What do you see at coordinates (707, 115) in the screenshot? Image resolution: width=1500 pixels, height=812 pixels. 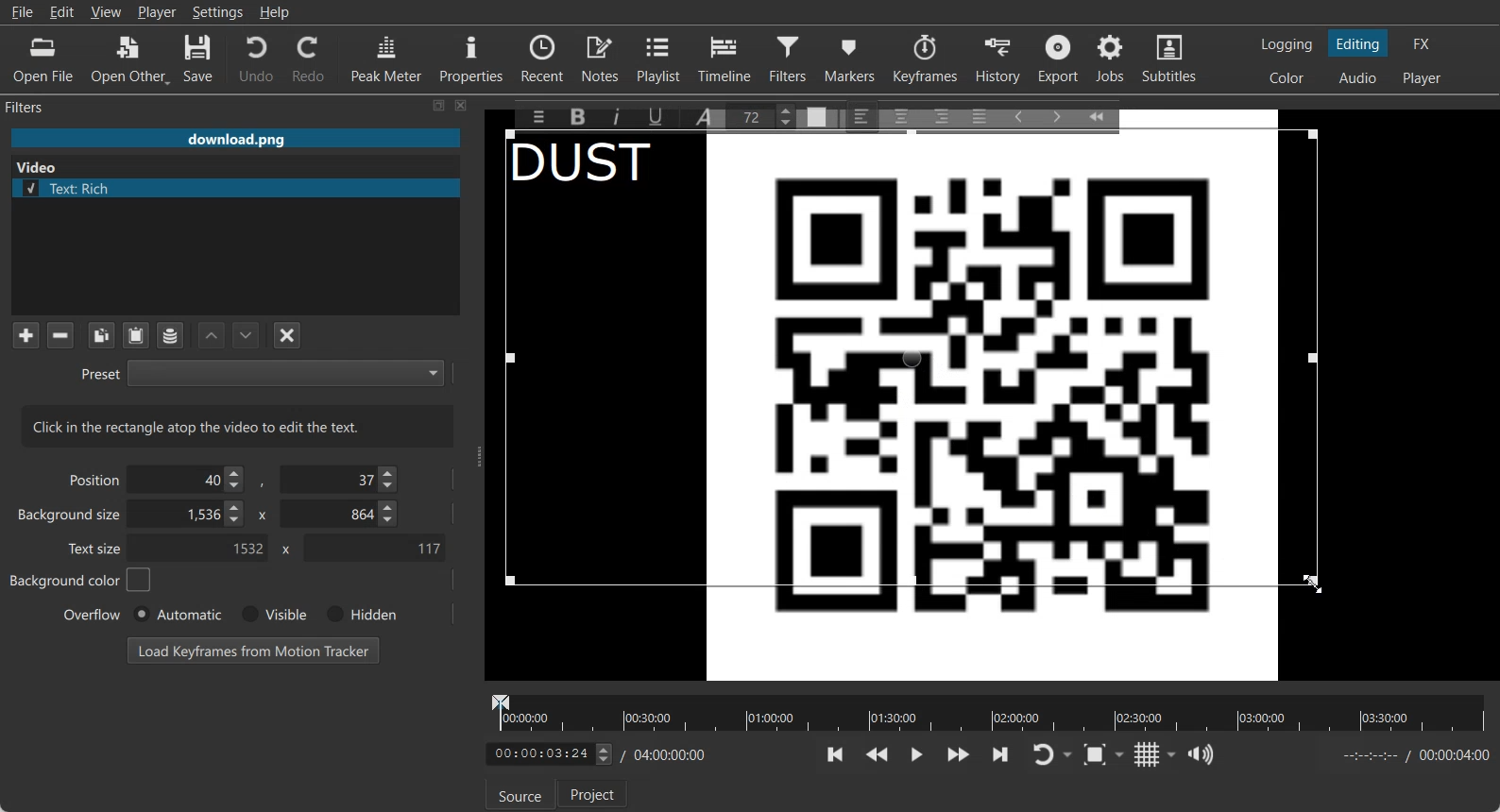 I see `Font` at bounding box center [707, 115].